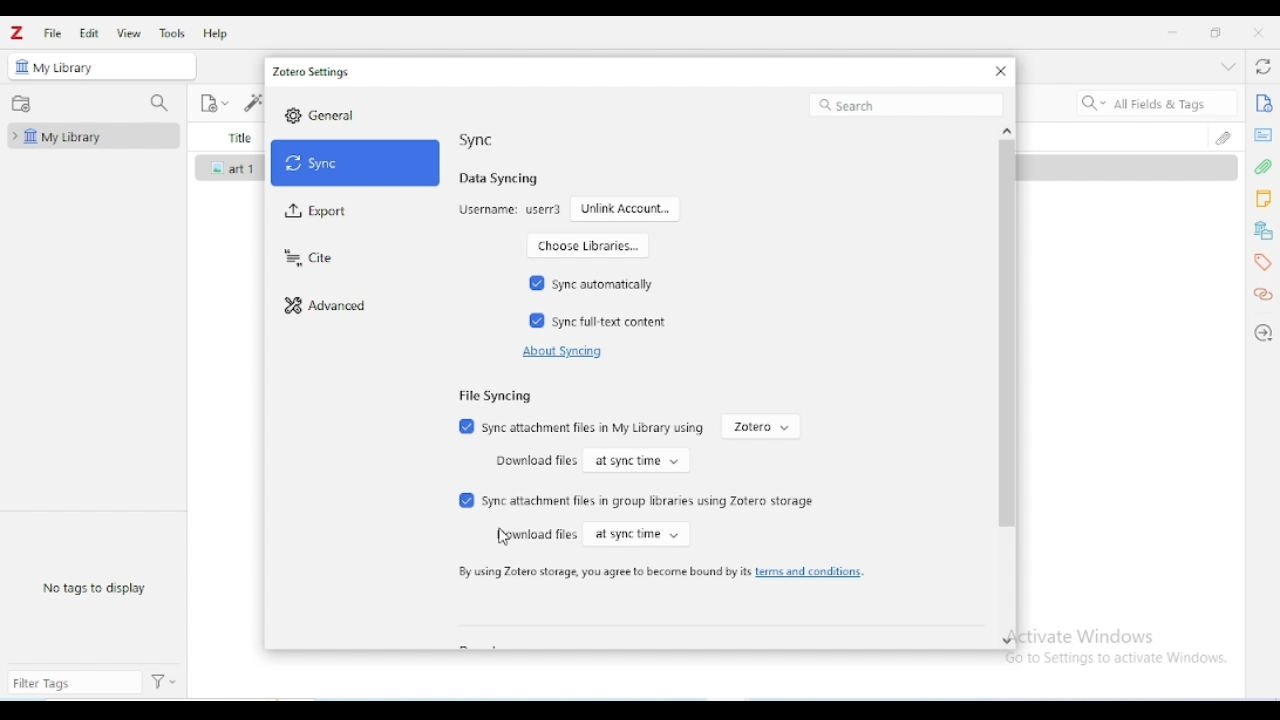 The height and width of the screenshot is (720, 1280). What do you see at coordinates (215, 33) in the screenshot?
I see `help` at bounding box center [215, 33].